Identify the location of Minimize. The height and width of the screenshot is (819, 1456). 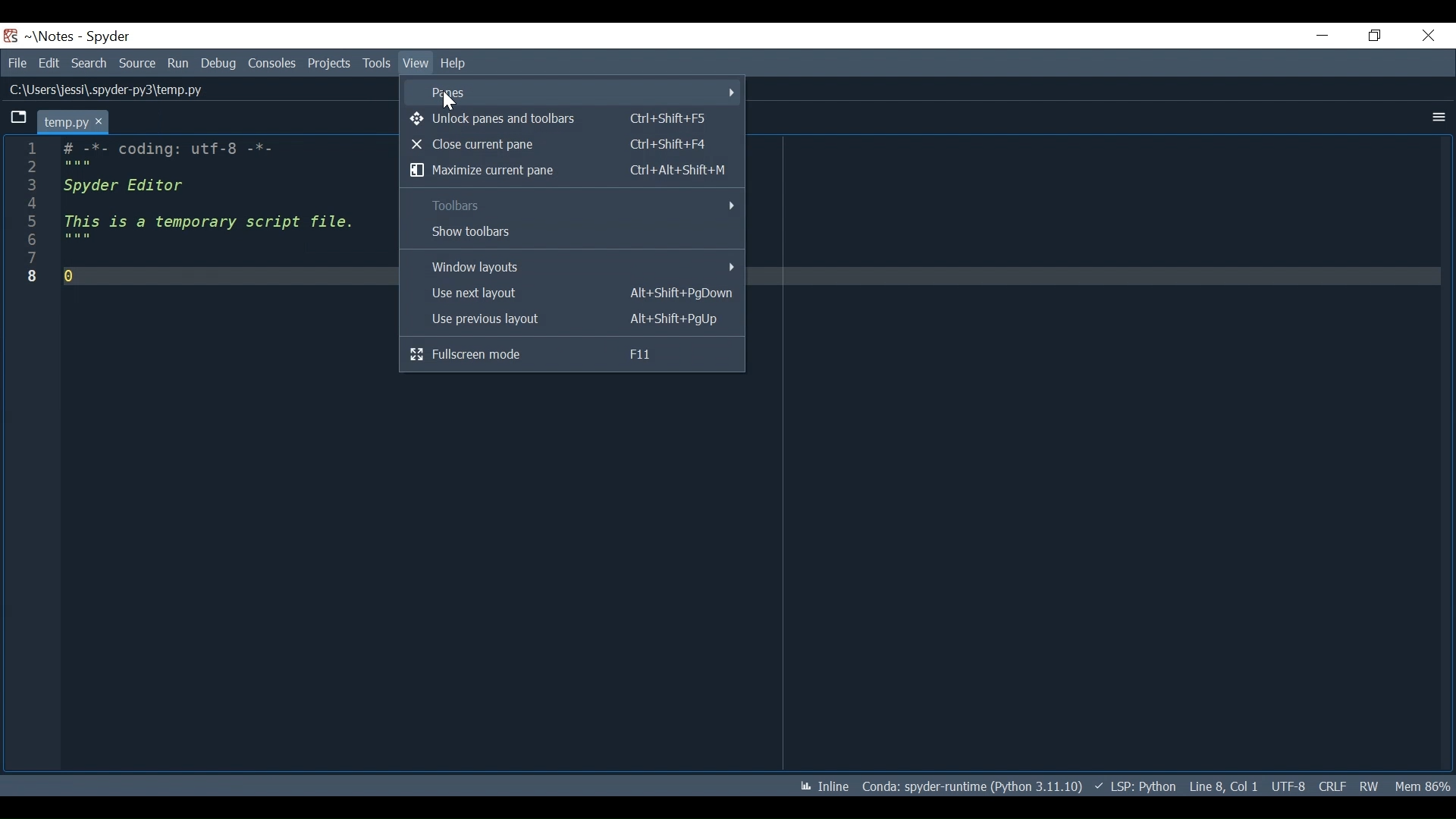
(1323, 34).